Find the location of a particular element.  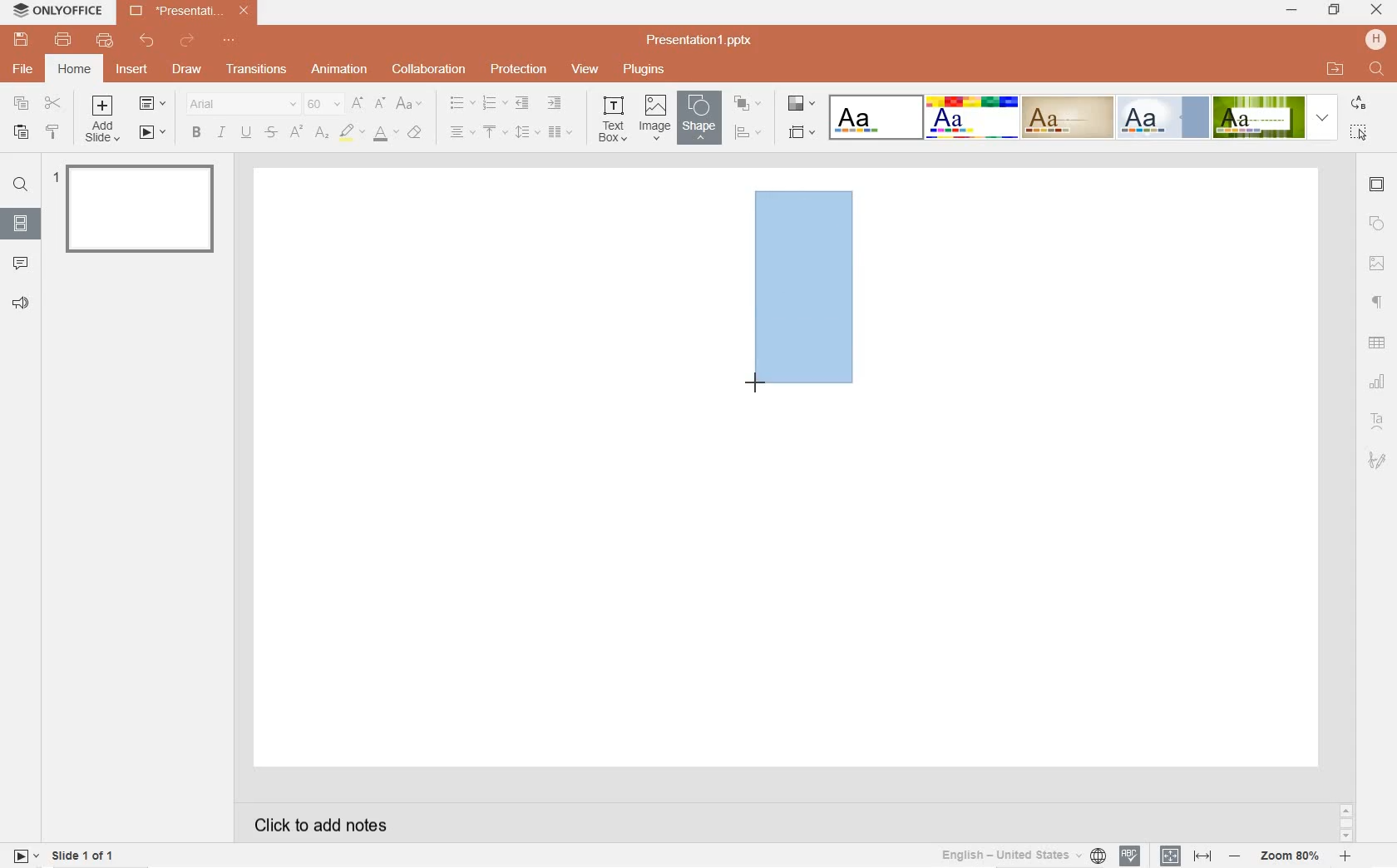

start slide show is located at coordinates (26, 855).